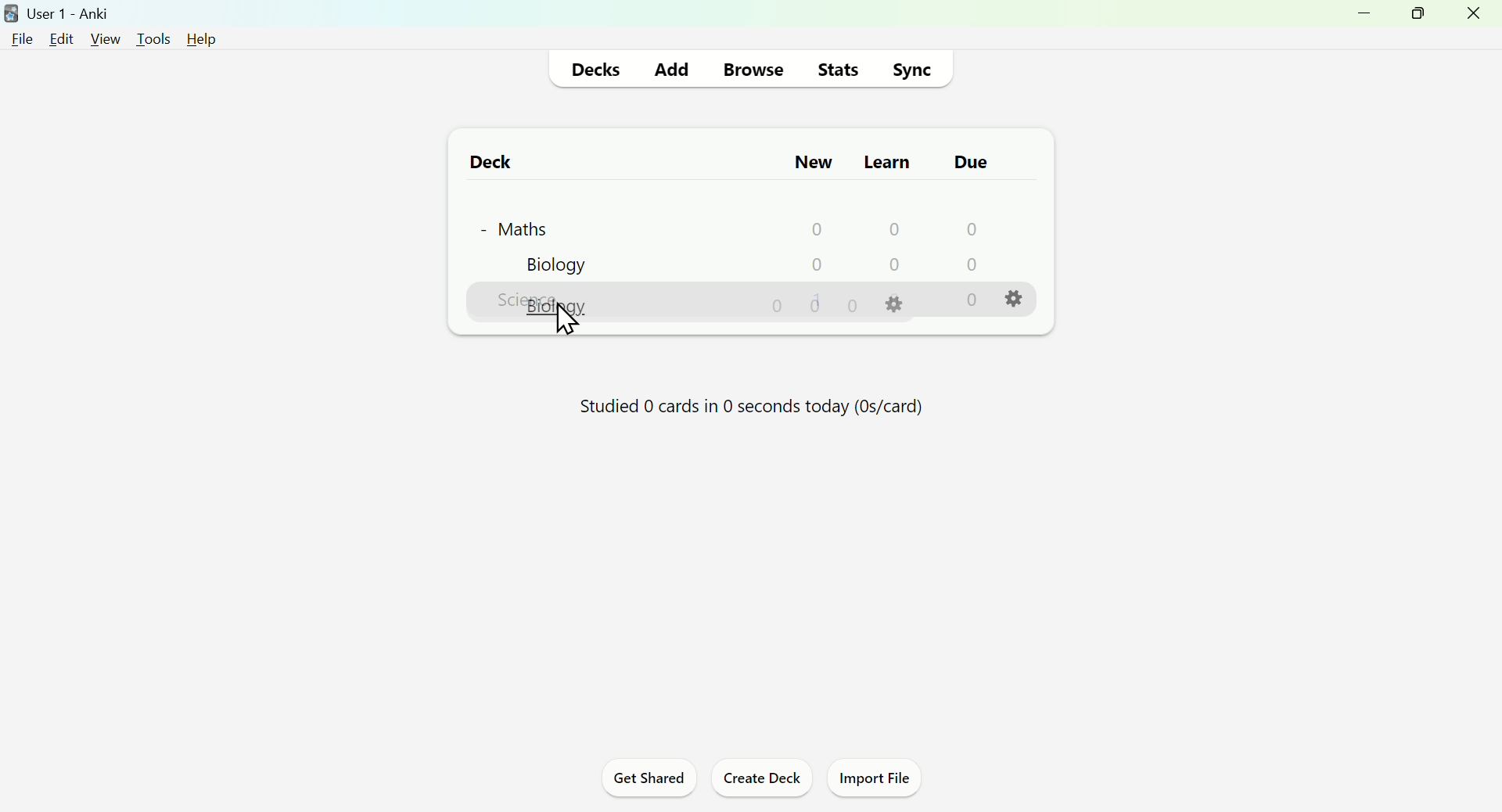  I want to click on Learn, so click(886, 158).